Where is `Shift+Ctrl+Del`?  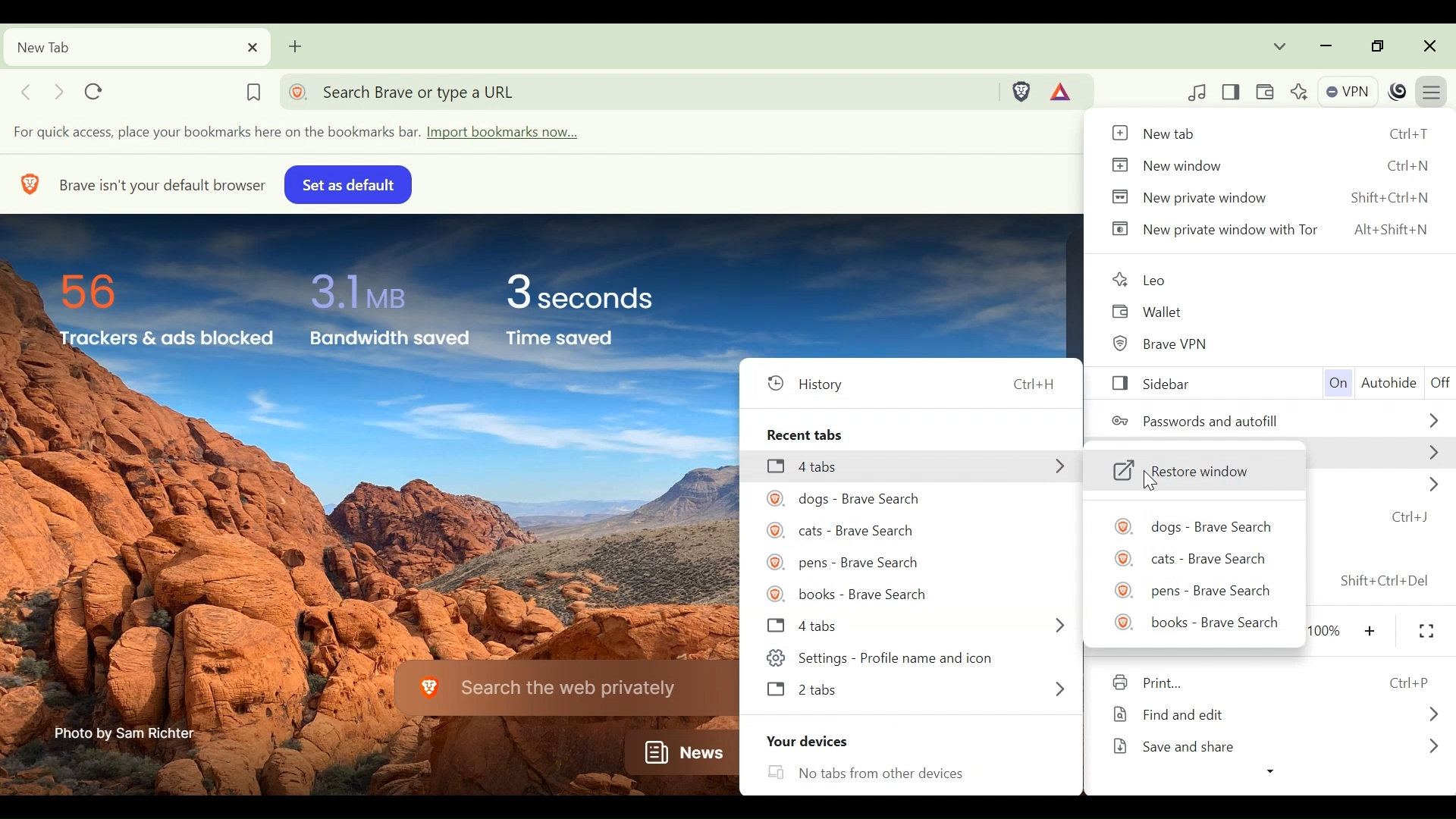 Shift+Ctrl+Del is located at coordinates (1392, 579).